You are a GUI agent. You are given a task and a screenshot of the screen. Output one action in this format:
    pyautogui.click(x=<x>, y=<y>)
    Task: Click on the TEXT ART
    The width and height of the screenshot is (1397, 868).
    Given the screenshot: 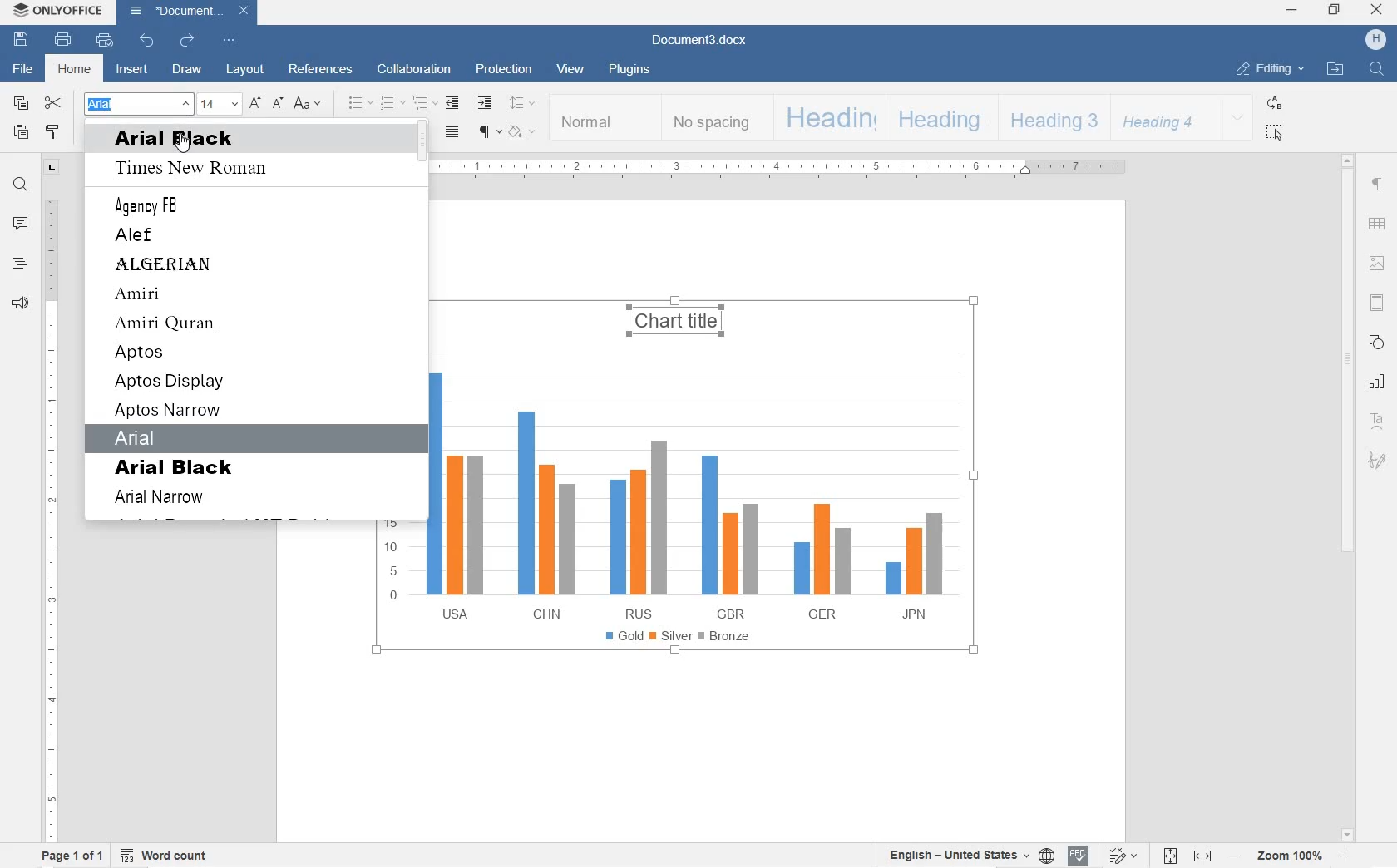 What is the action you would take?
    pyautogui.click(x=1376, y=419)
    